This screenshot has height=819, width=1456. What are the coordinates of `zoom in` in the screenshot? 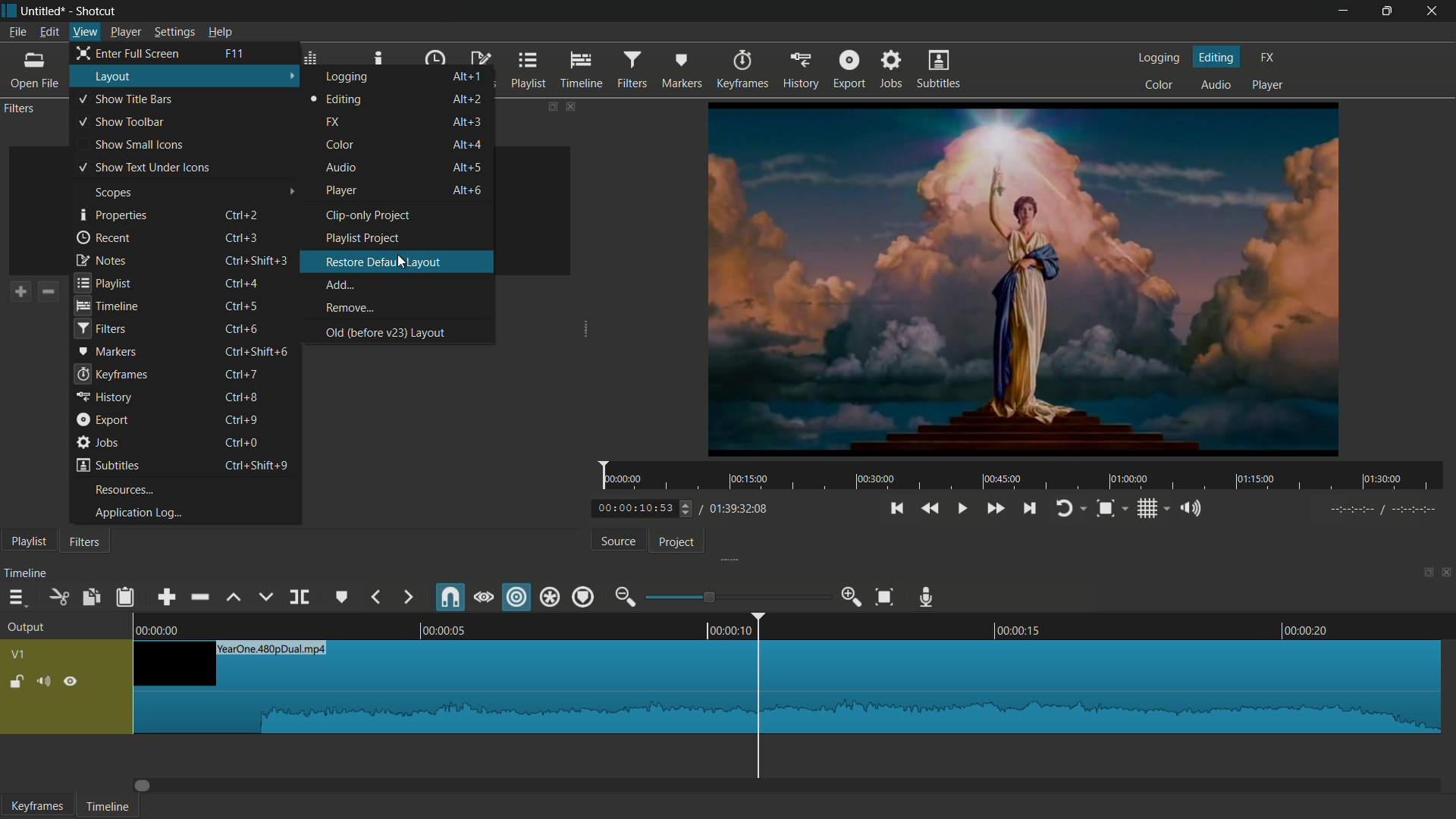 It's located at (853, 598).